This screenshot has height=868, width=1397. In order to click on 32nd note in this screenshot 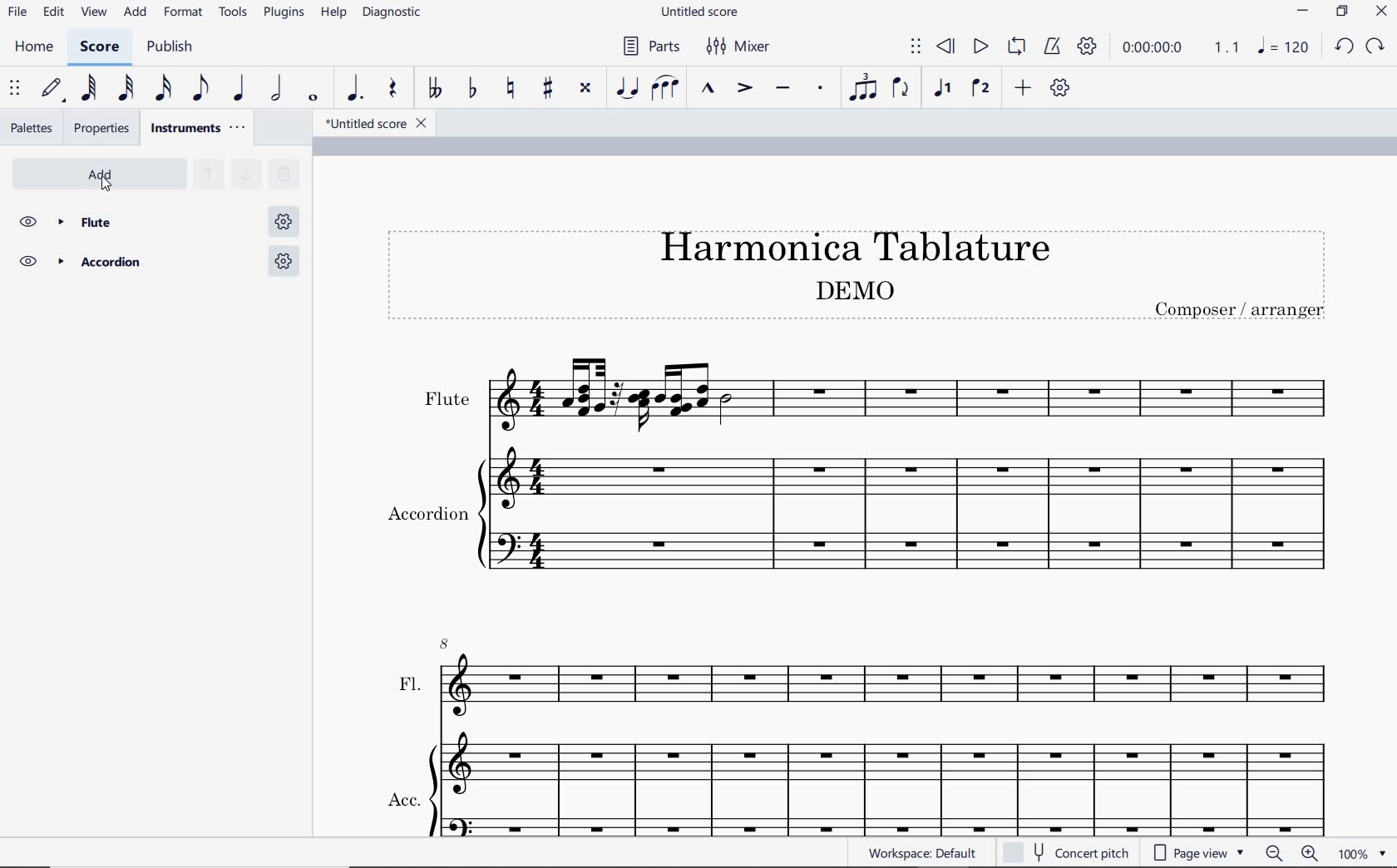, I will do `click(125, 89)`.